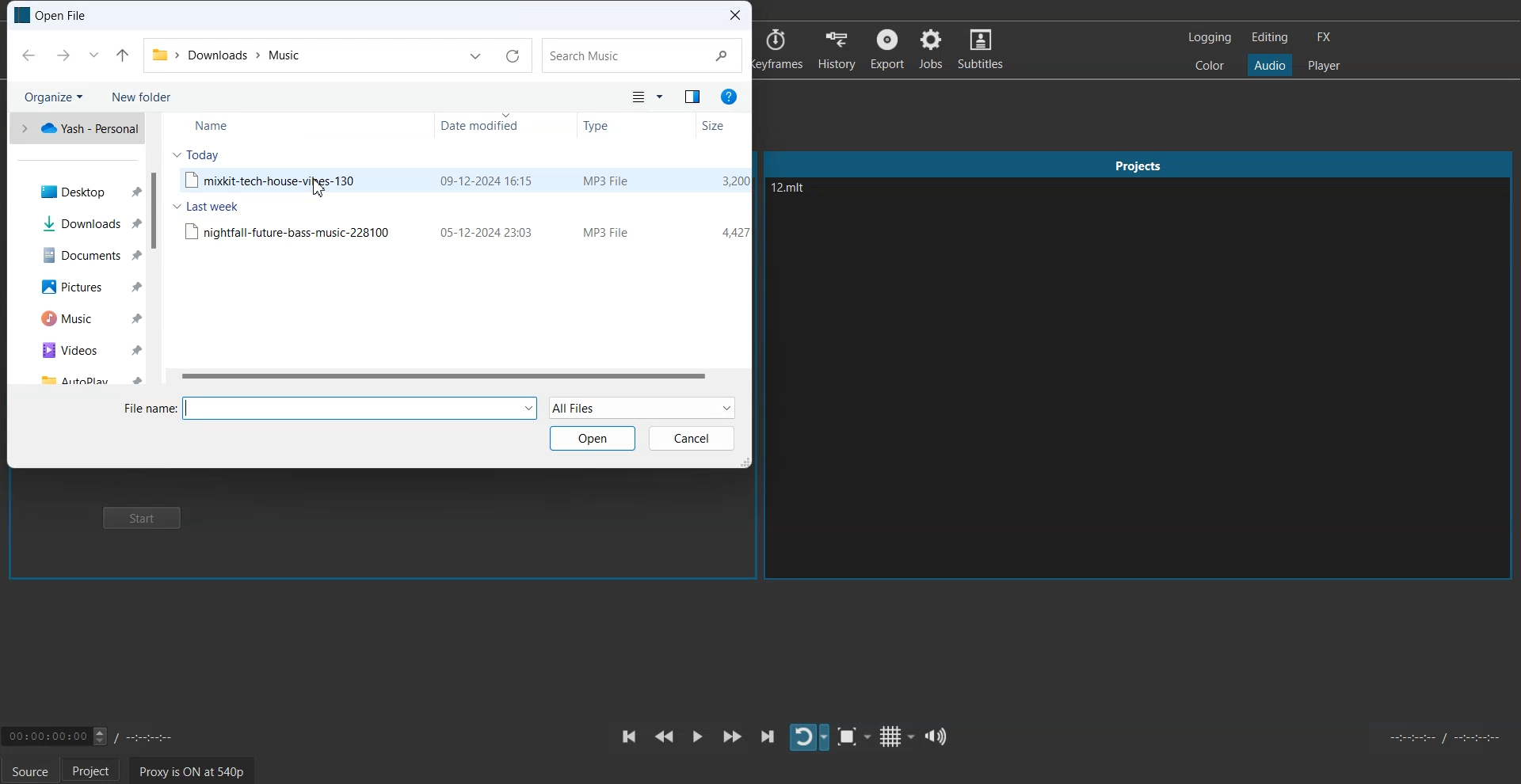  I want to click on Refresh file, so click(512, 55).